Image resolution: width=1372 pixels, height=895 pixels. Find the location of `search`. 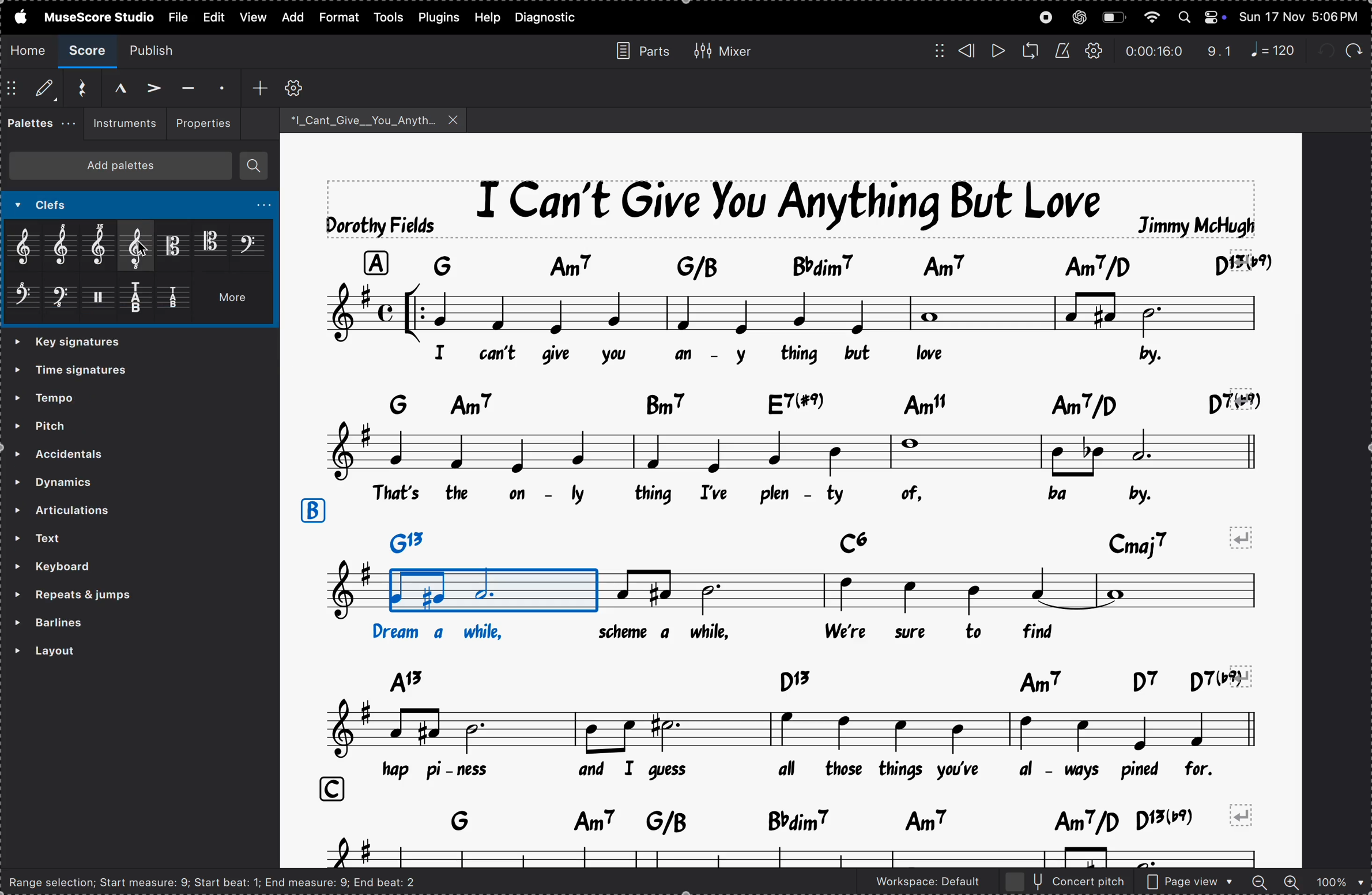

search is located at coordinates (254, 166).